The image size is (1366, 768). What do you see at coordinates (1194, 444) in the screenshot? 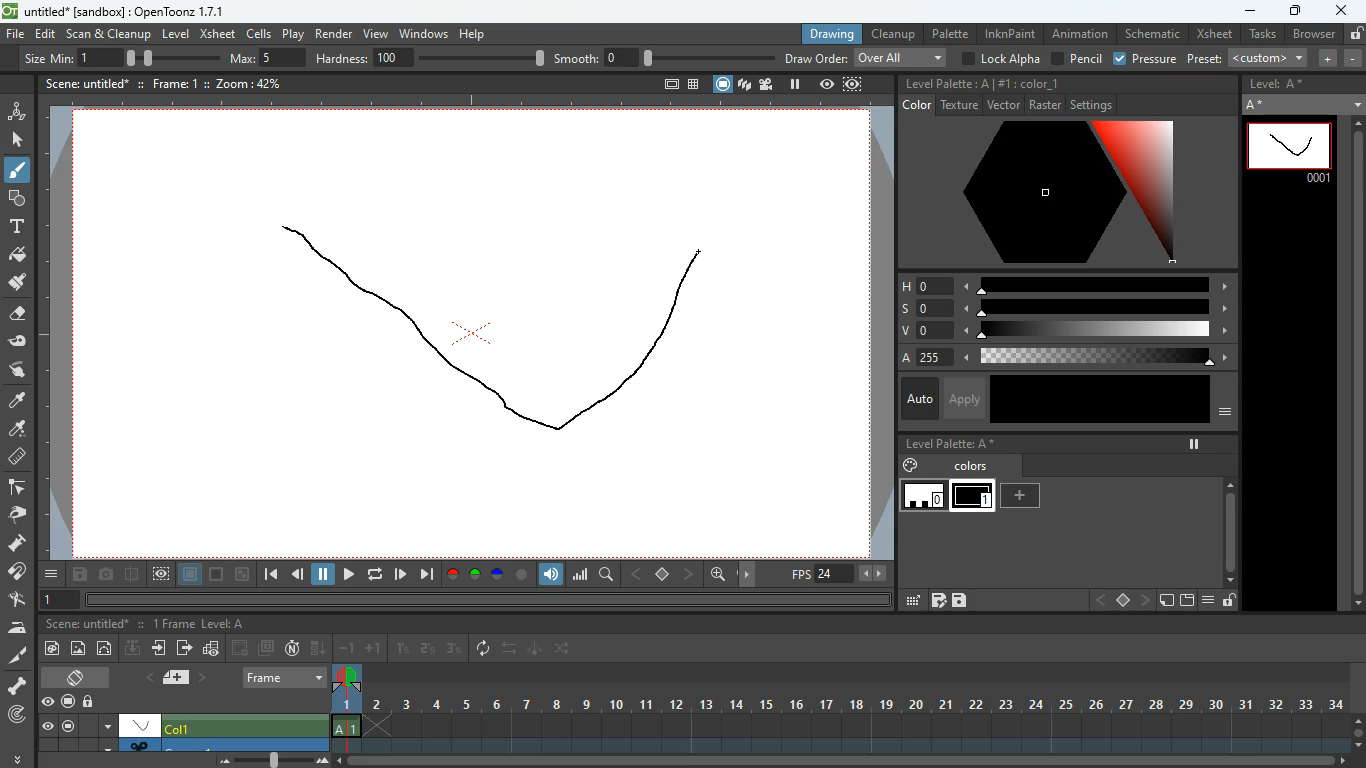
I see `pause` at bounding box center [1194, 444].